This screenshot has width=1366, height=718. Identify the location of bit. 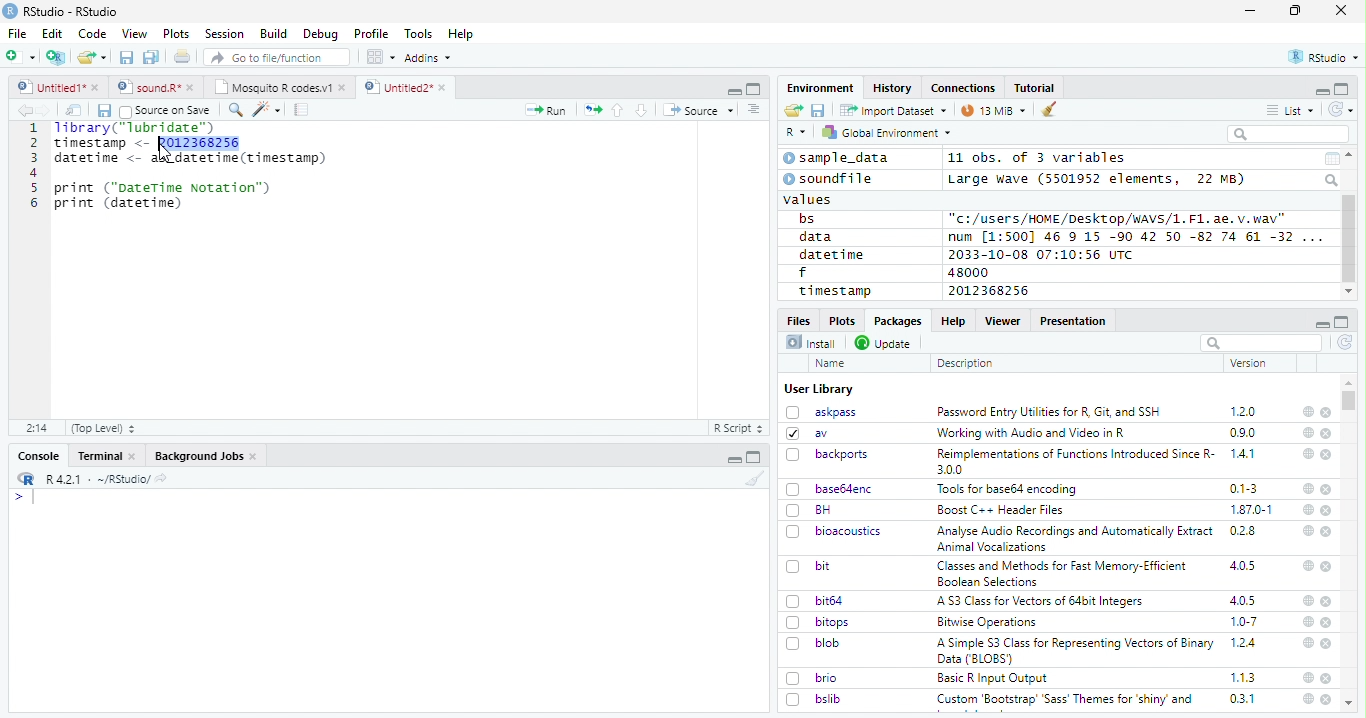
(809, 567).